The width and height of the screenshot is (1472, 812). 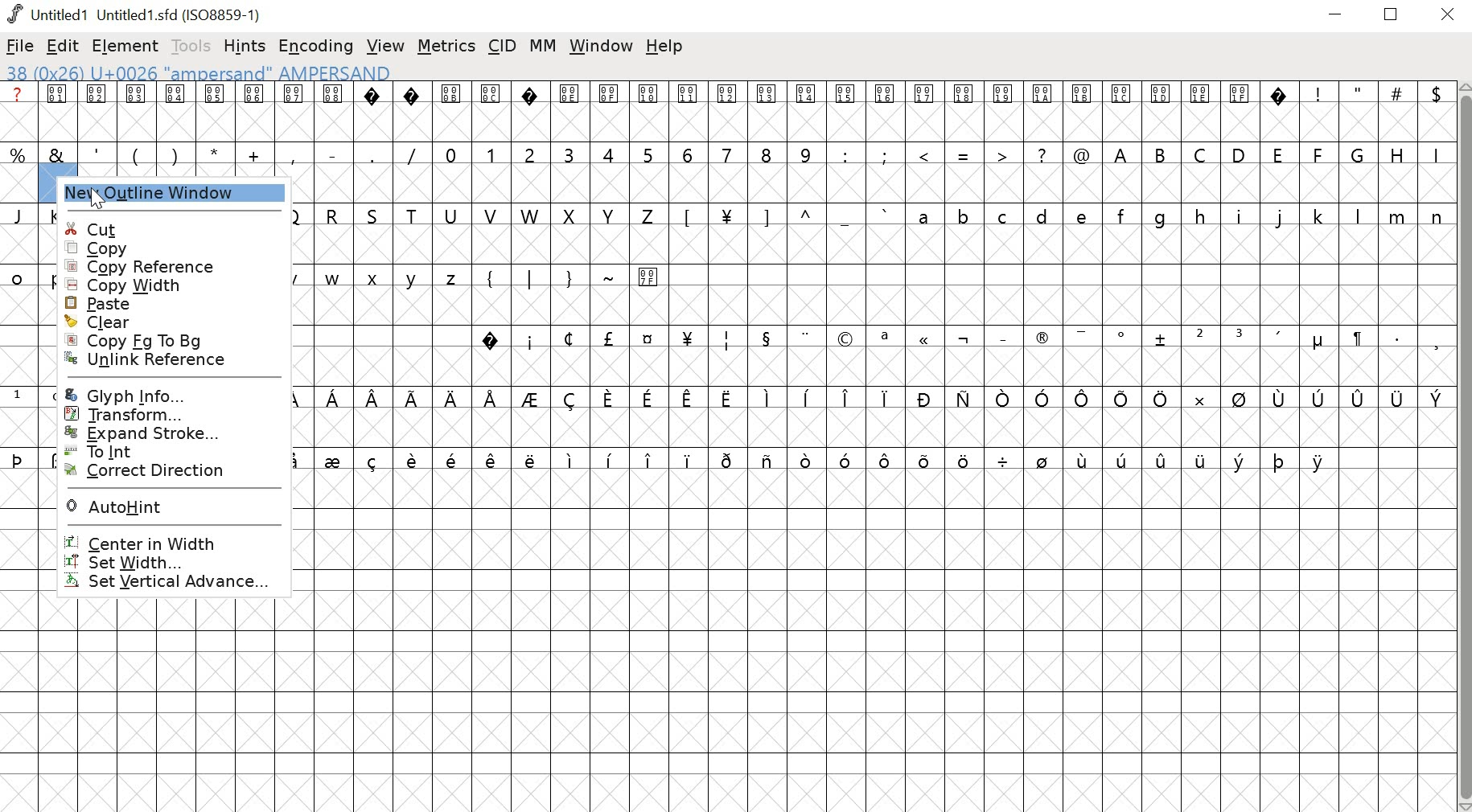 I want to click on U, so click(x=452, y=215).